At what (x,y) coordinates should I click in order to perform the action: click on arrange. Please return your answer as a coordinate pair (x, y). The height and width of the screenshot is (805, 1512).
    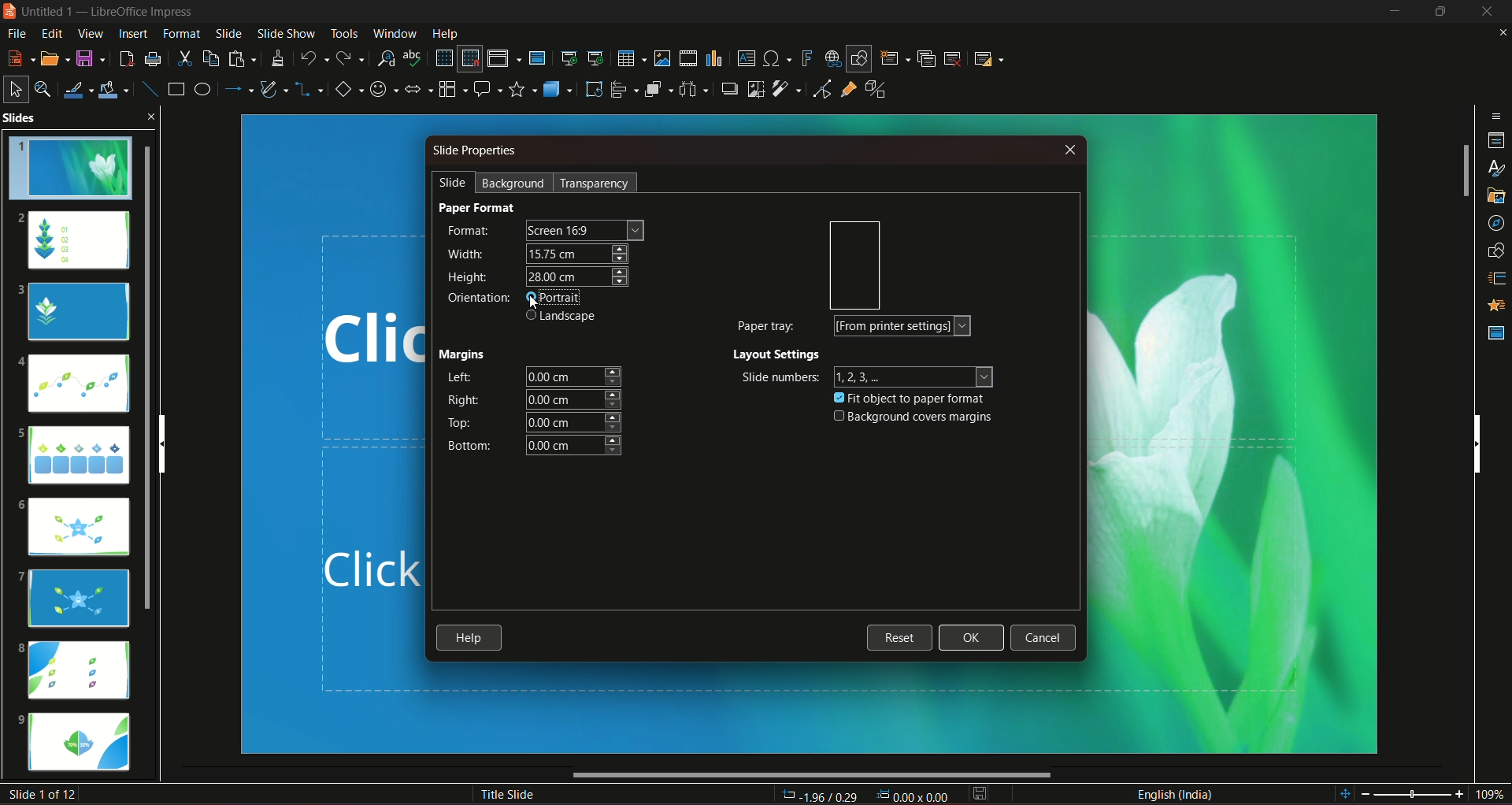
    Looking at the image, I should click on (658, 91).